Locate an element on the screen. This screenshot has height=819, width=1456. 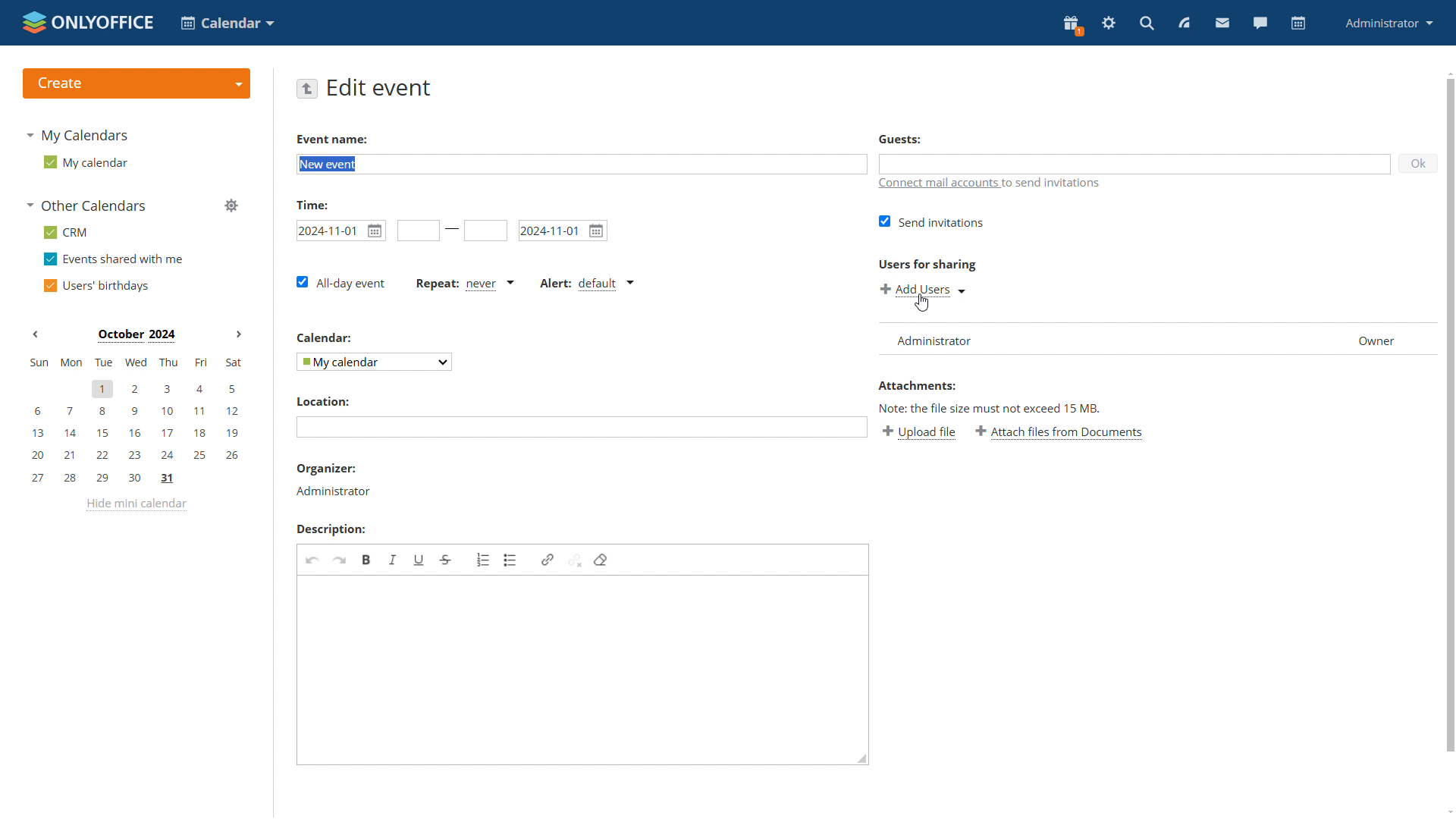
logo is located at coordinates (88, 21).